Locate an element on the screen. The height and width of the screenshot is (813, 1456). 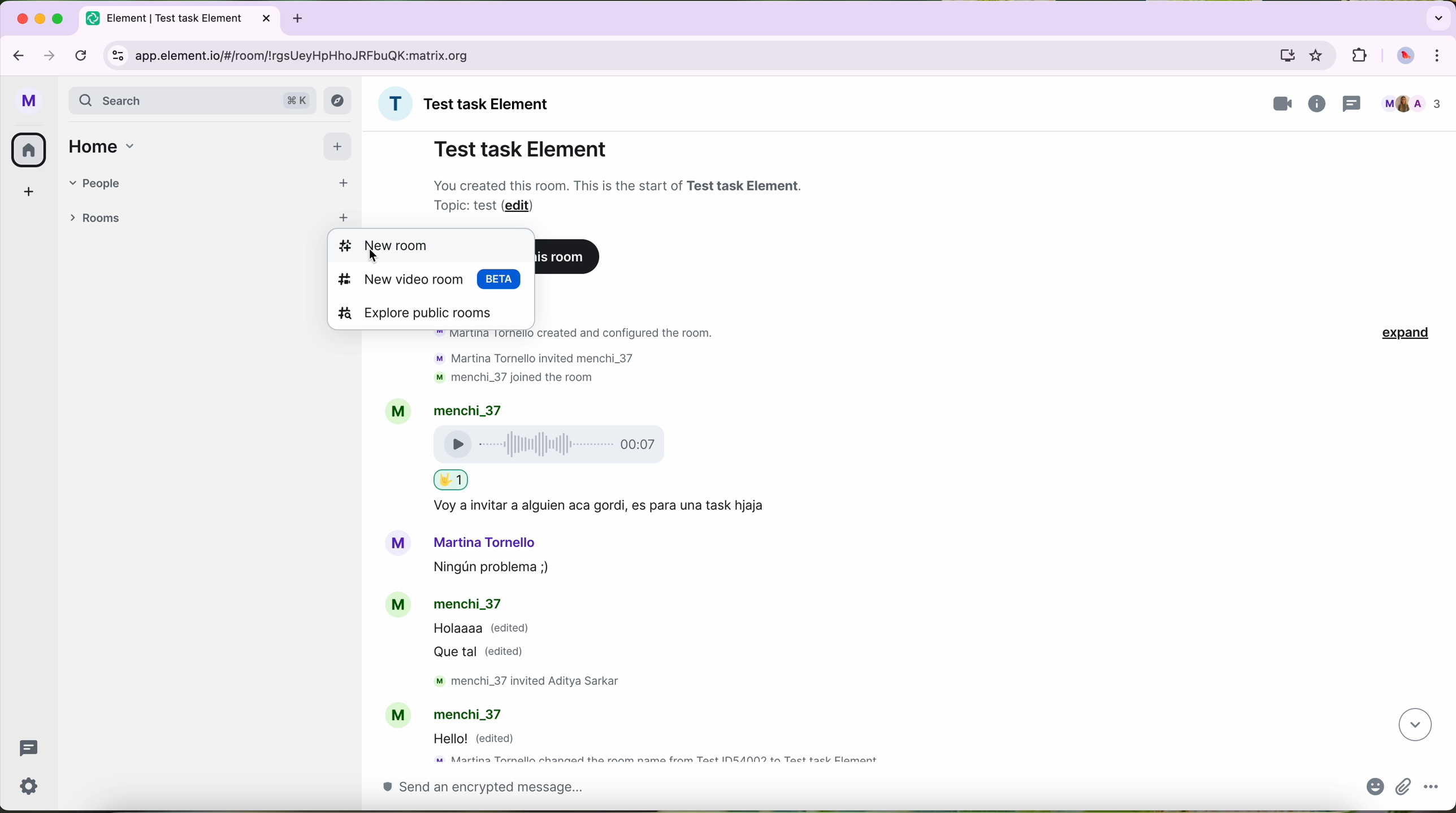
click on new room is located at coordinates (431, 246).